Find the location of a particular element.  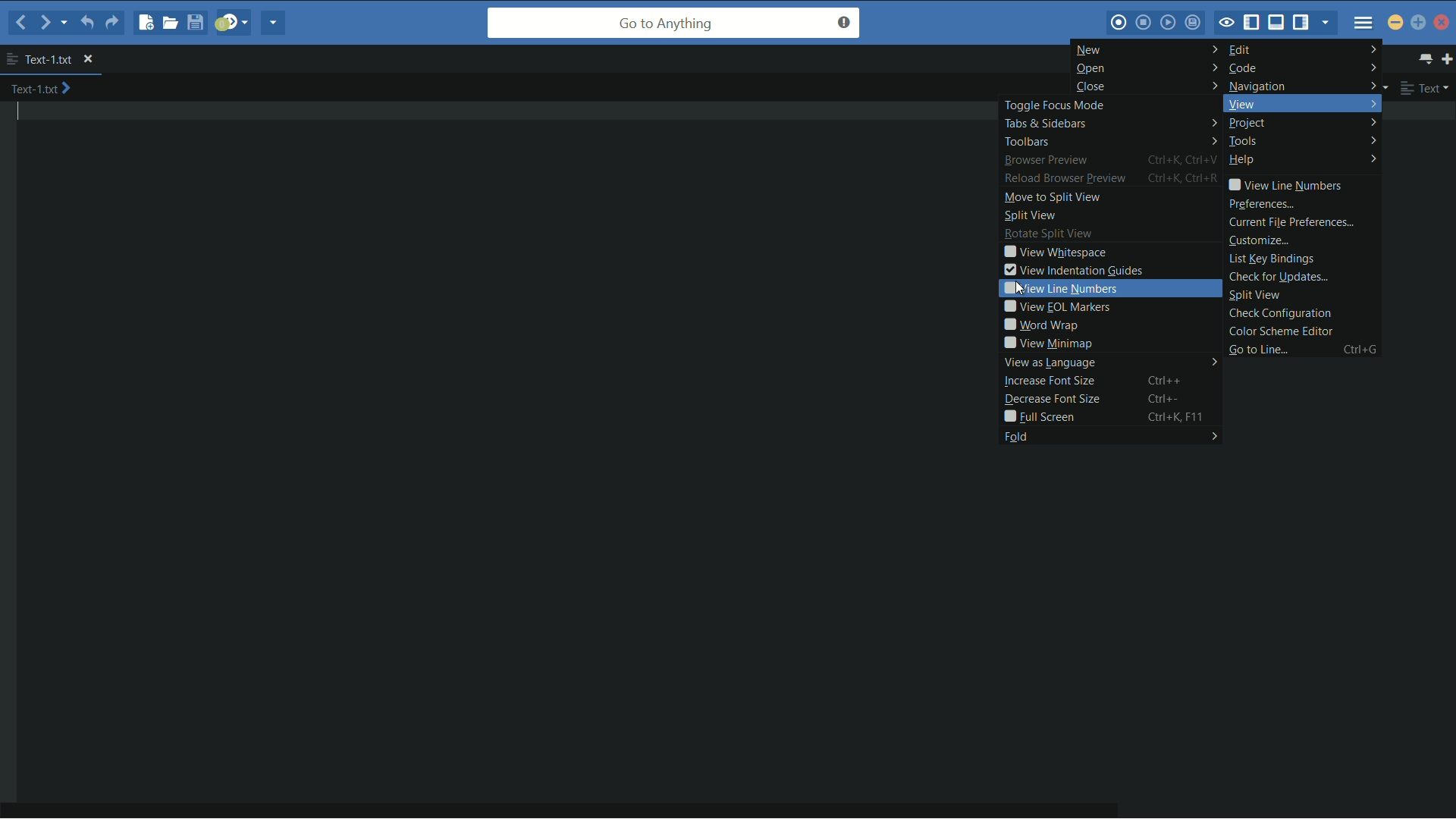

new tab is located at coordinates (1447, 58).